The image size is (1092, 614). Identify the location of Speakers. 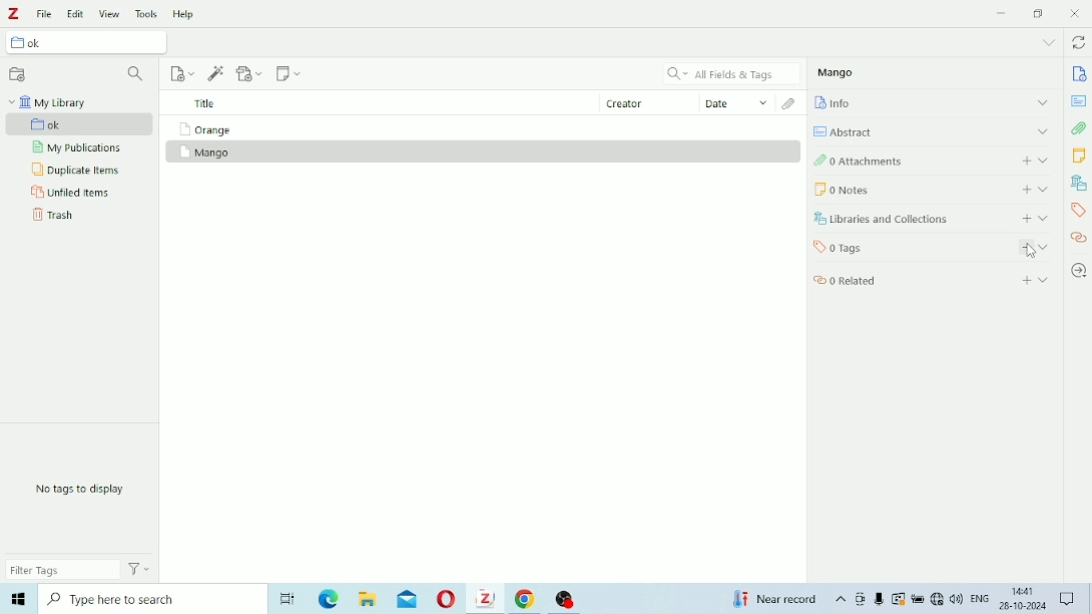
(957, 599).